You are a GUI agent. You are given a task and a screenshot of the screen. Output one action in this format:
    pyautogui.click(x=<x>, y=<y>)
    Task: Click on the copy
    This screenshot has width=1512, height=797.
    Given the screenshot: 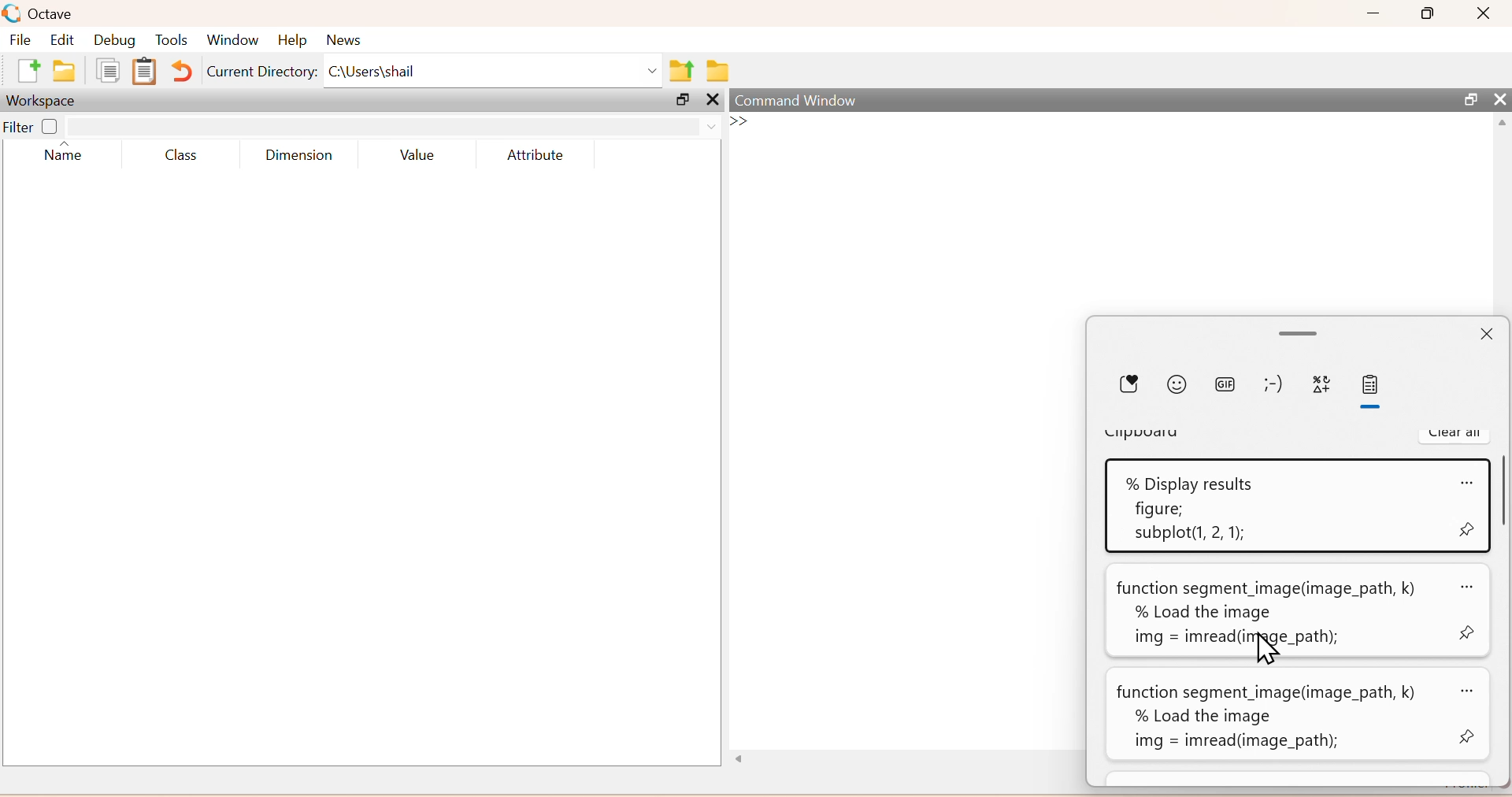 What is the action you would take?
    pyautogui.click(x=108, y=70)
    